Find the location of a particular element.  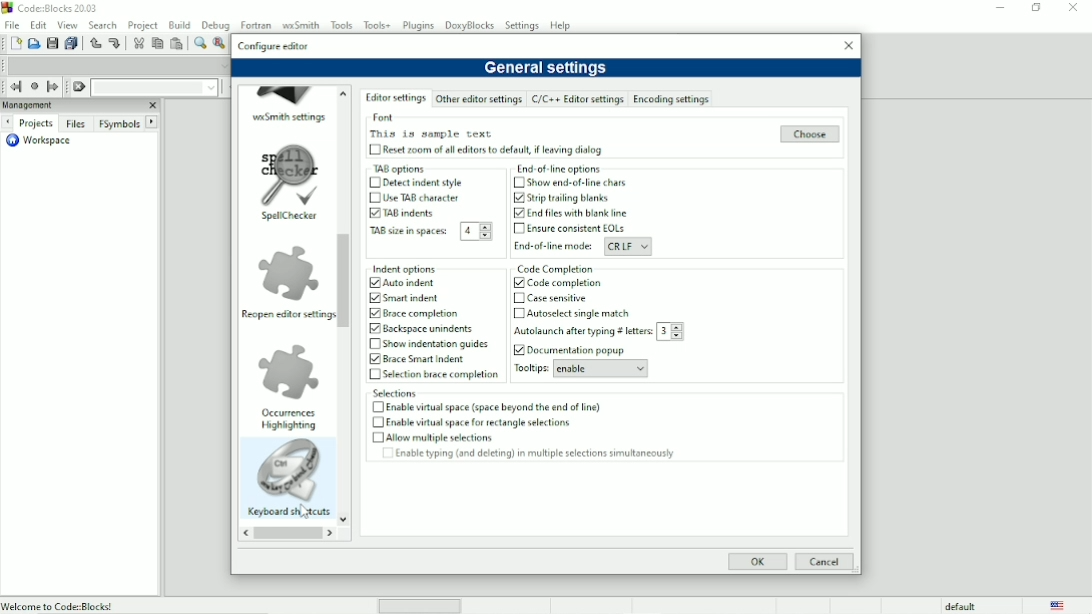

Other editor settings is located at coordinates (479, 101).